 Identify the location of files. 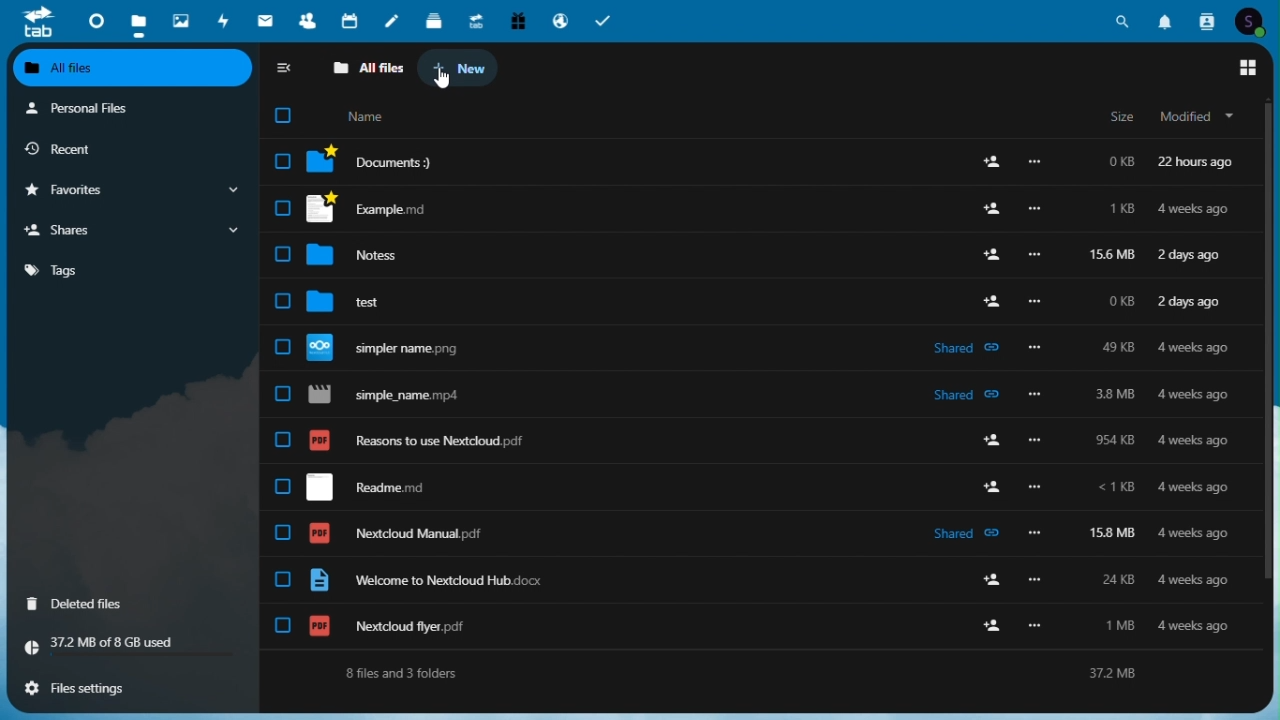
(138, 21).